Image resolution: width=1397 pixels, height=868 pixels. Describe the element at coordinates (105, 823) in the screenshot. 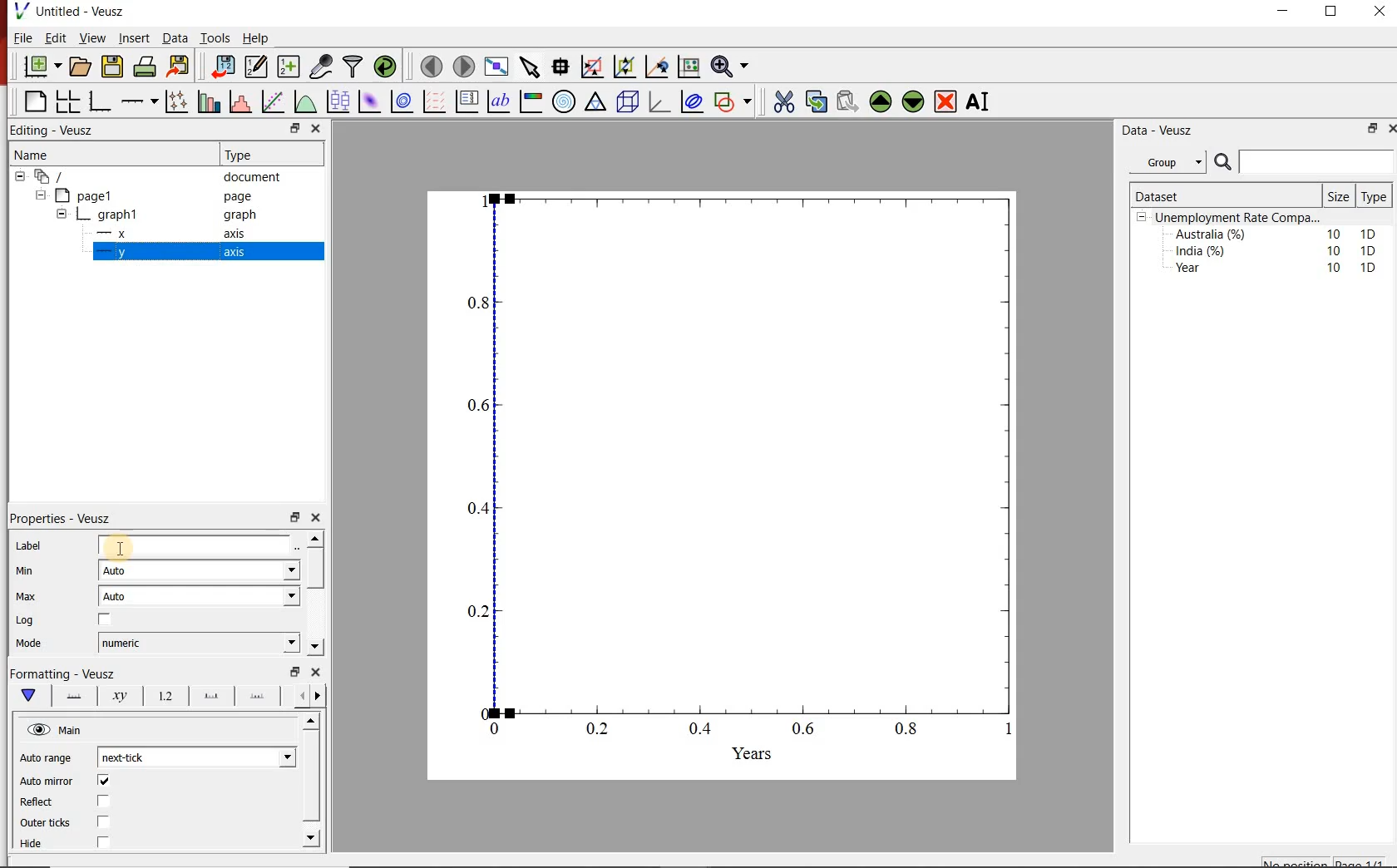

I see `checkbox` at that location.